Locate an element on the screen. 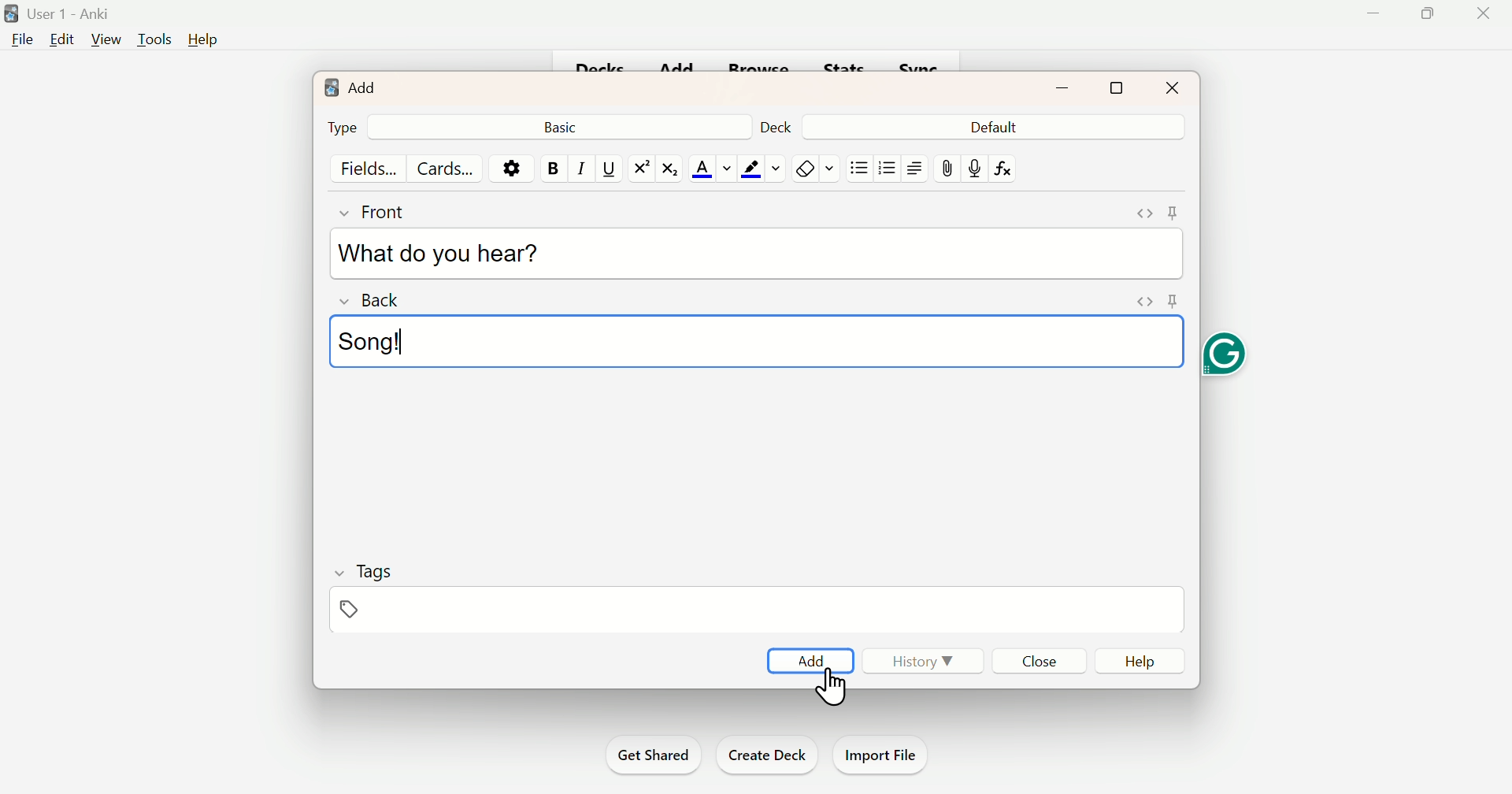 The width and height of the screenshot is (1512, 794). Deck is located at coordinates (774, 128).